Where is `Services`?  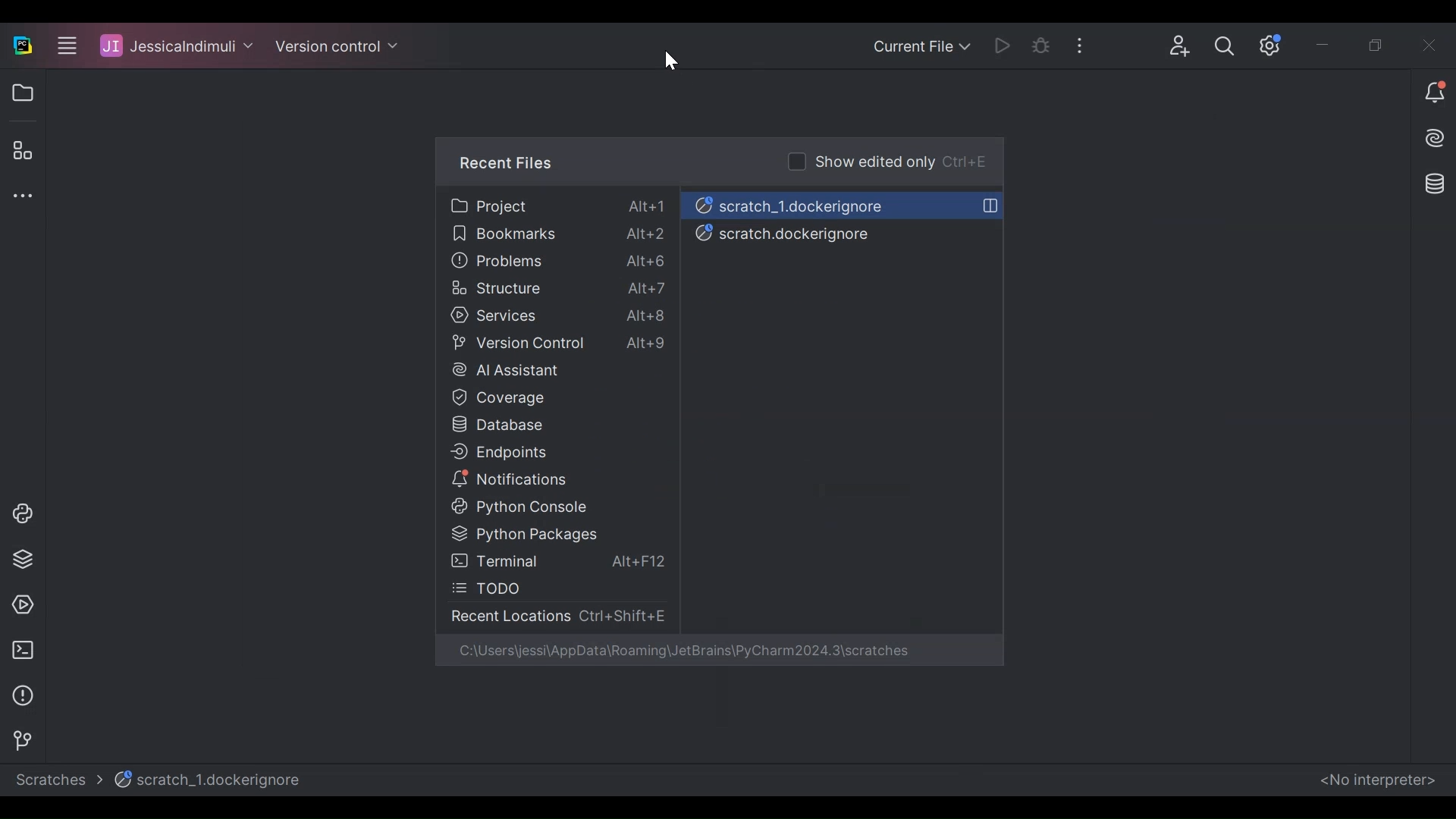
Services is located at coordinates (552, 315).